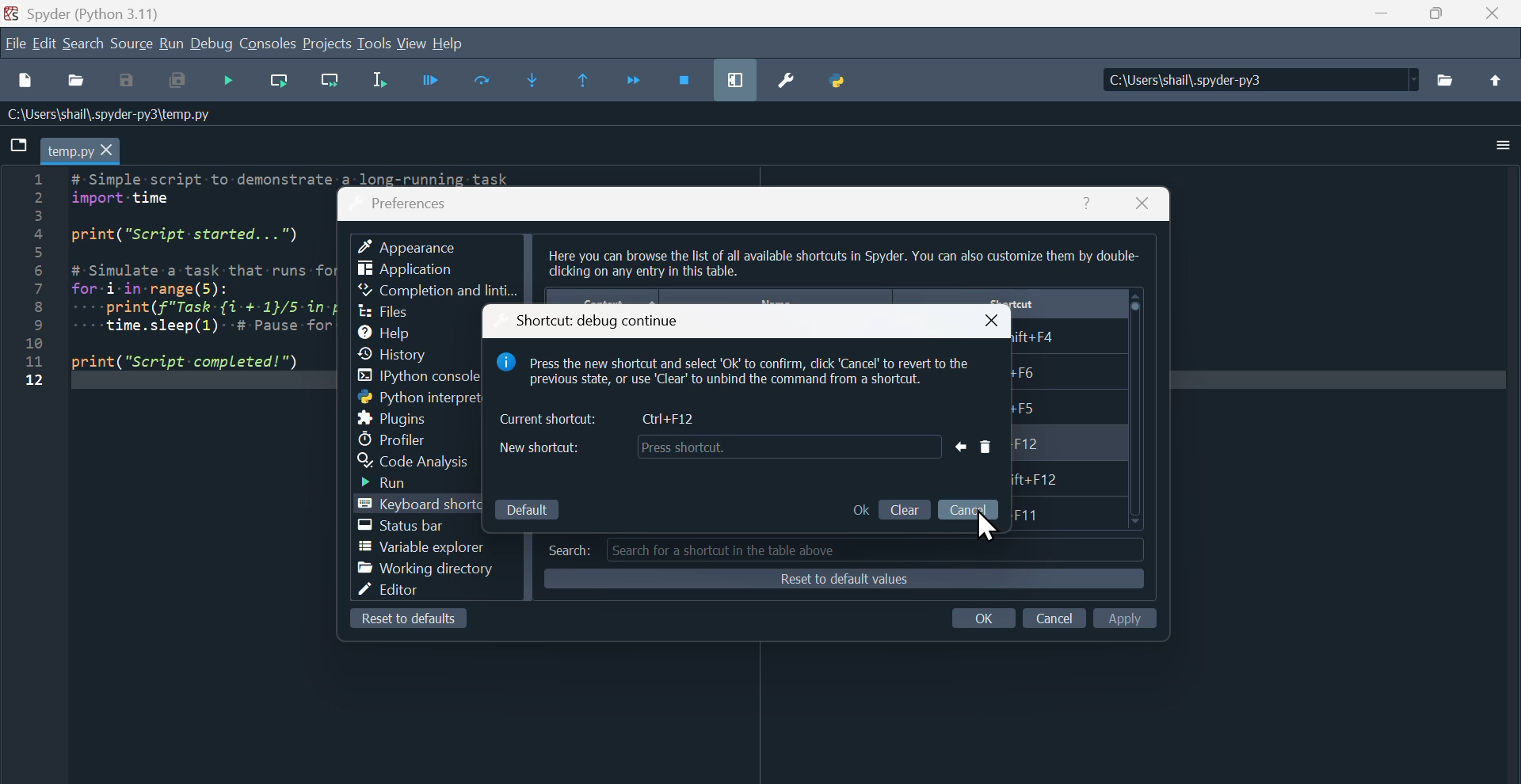 The height and width of the screenshot is (784, 1521). I want to click on Debug file, so click(230, 84).